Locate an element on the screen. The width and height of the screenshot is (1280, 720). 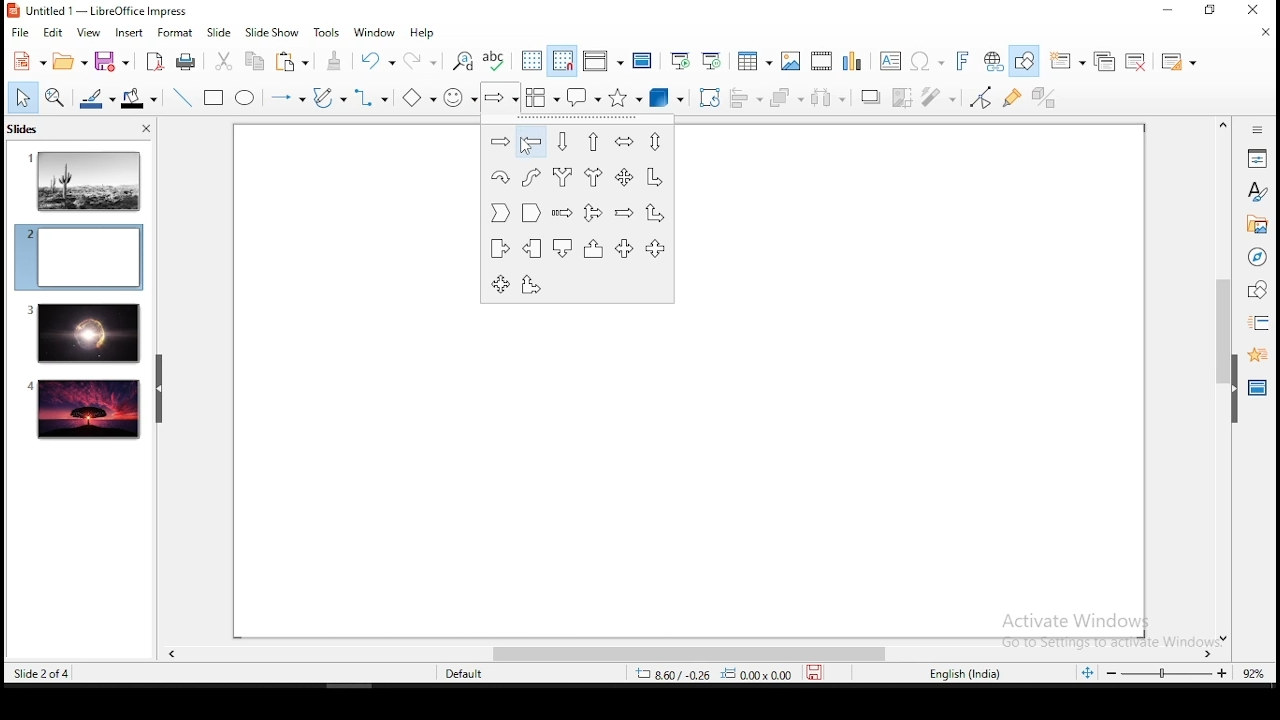
close is located at coordinates (1262, 34).